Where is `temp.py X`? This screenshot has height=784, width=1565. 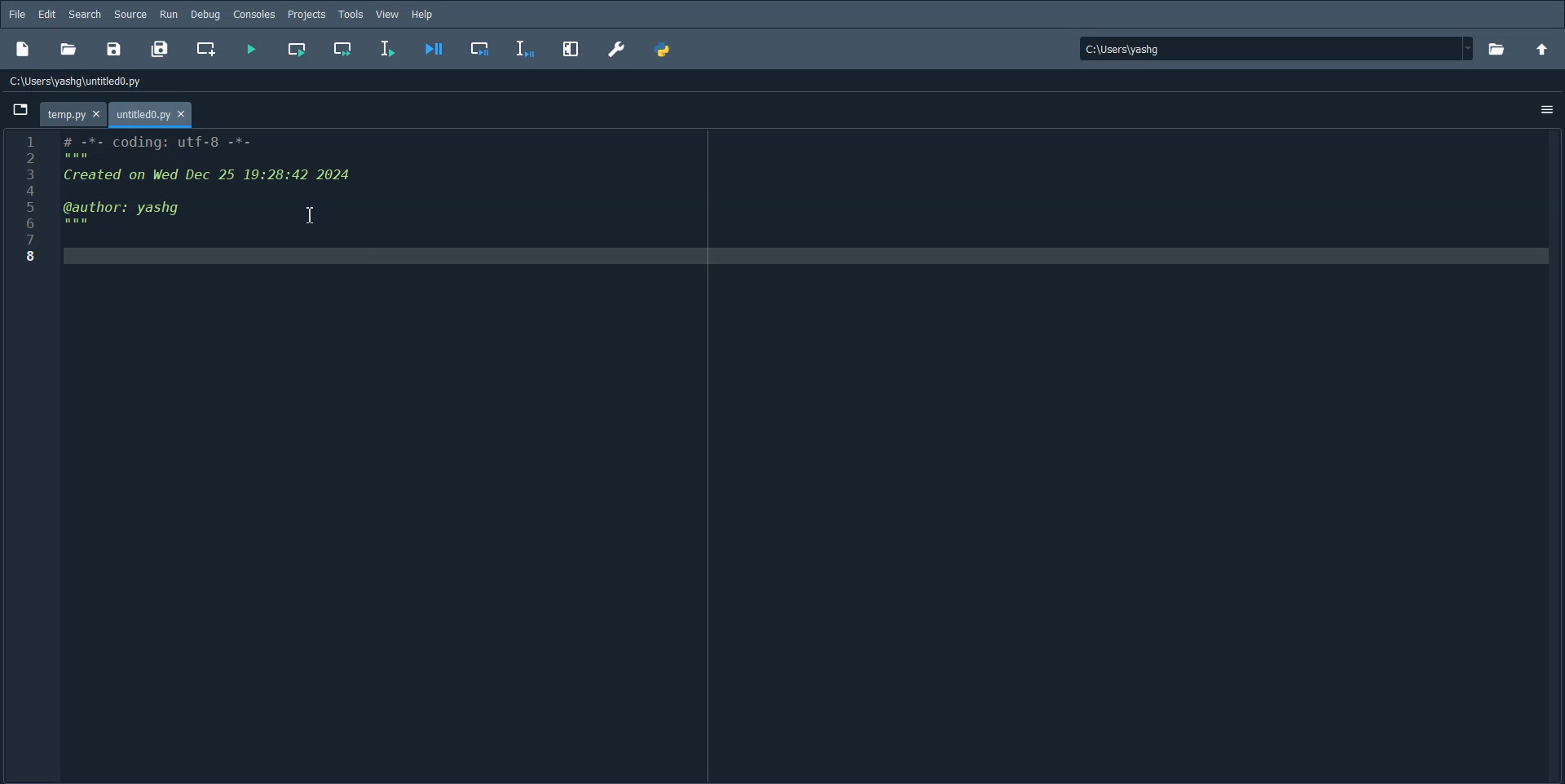 temp.py X is located at coordinates (71, 114).